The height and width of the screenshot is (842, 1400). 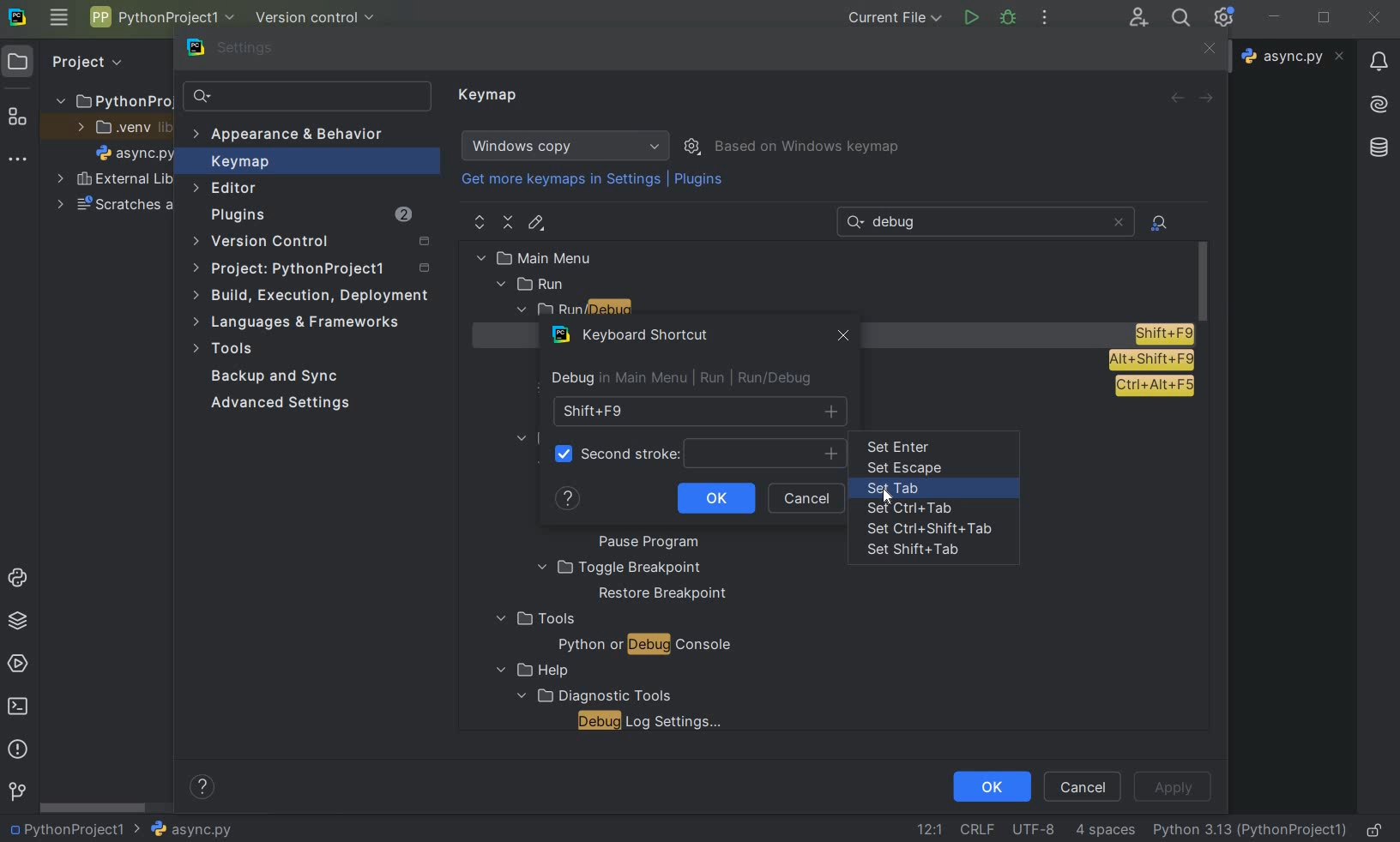 I want to click on advanced settings, so click(x=277, y=403).